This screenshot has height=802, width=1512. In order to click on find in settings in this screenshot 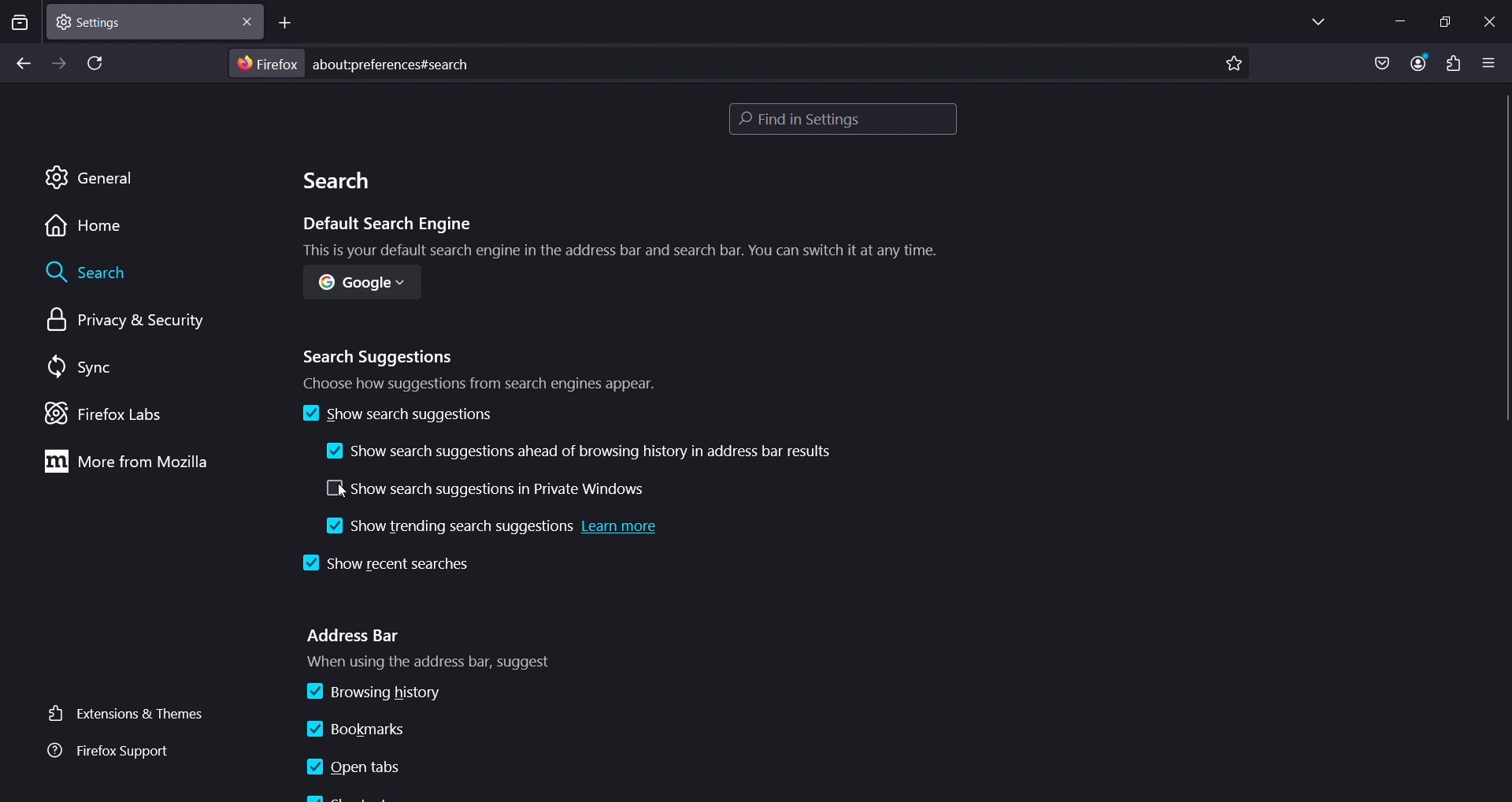, I will do `click(843, 121)`.